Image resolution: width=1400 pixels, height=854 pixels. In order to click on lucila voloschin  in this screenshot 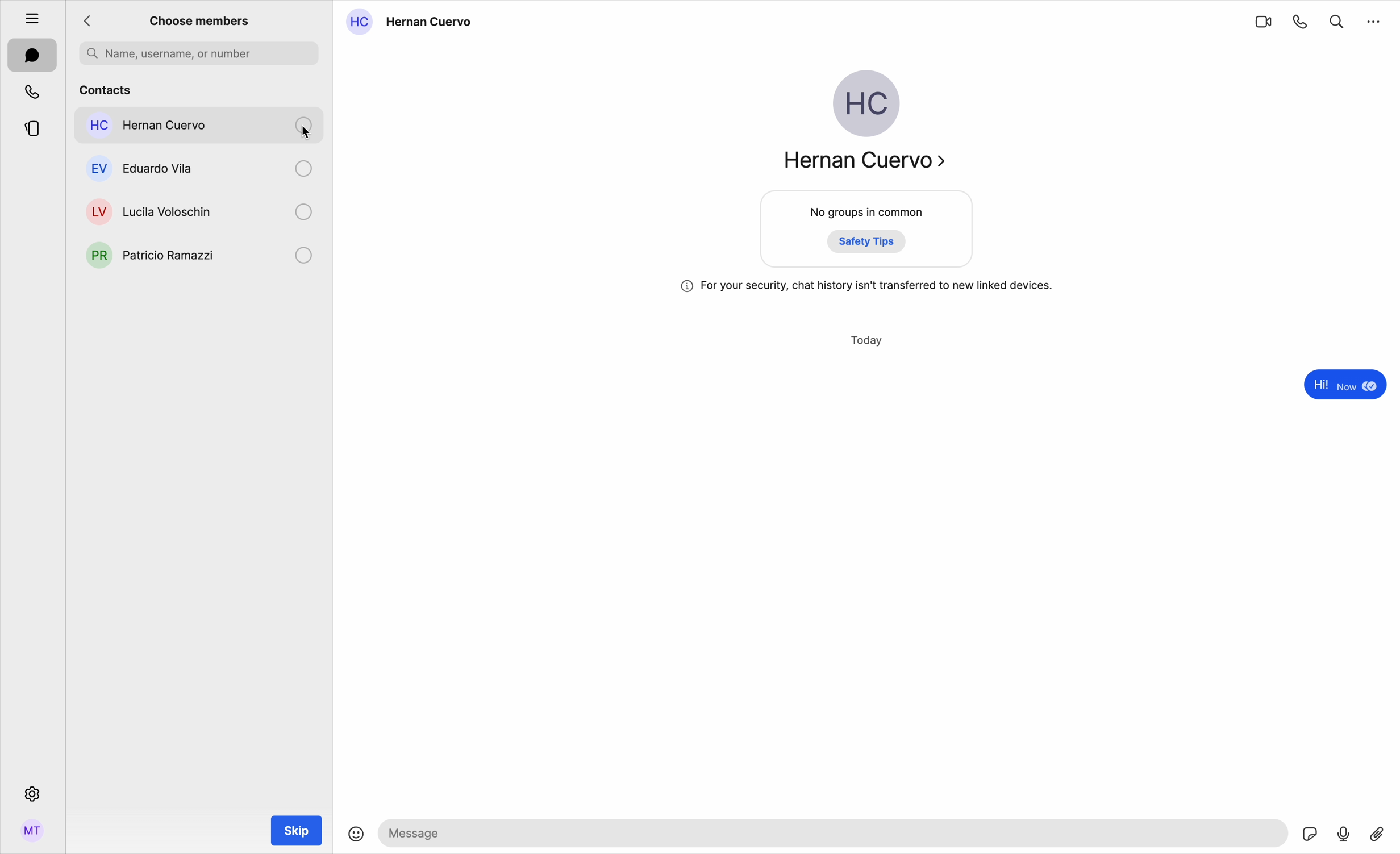, I will do `click(147, 209)`.